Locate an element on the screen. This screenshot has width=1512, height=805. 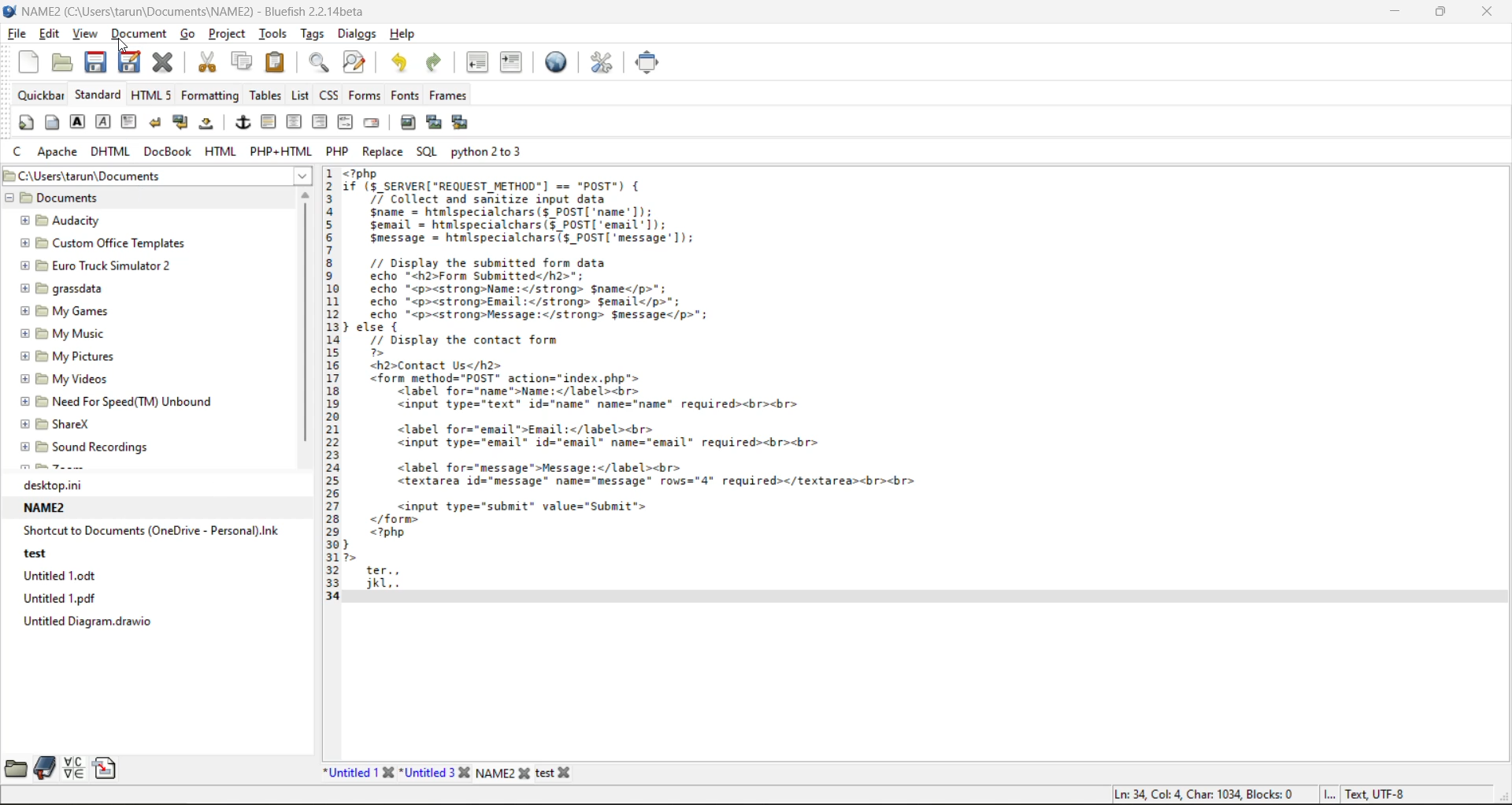
horizontal rule is located at coordinates (268, 123).